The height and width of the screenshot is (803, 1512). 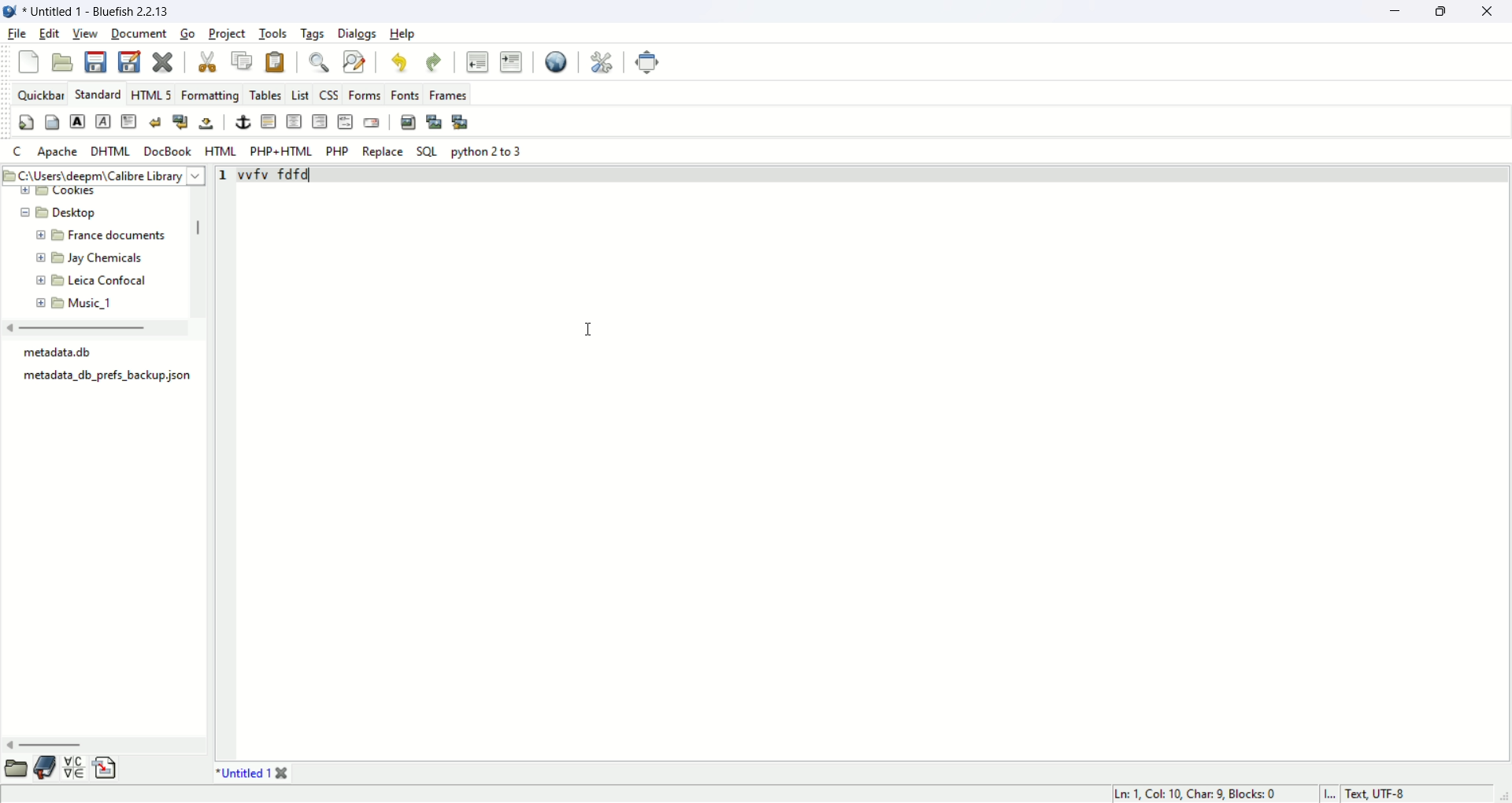 I want to click on paragraph, so click(x=128, y=123).